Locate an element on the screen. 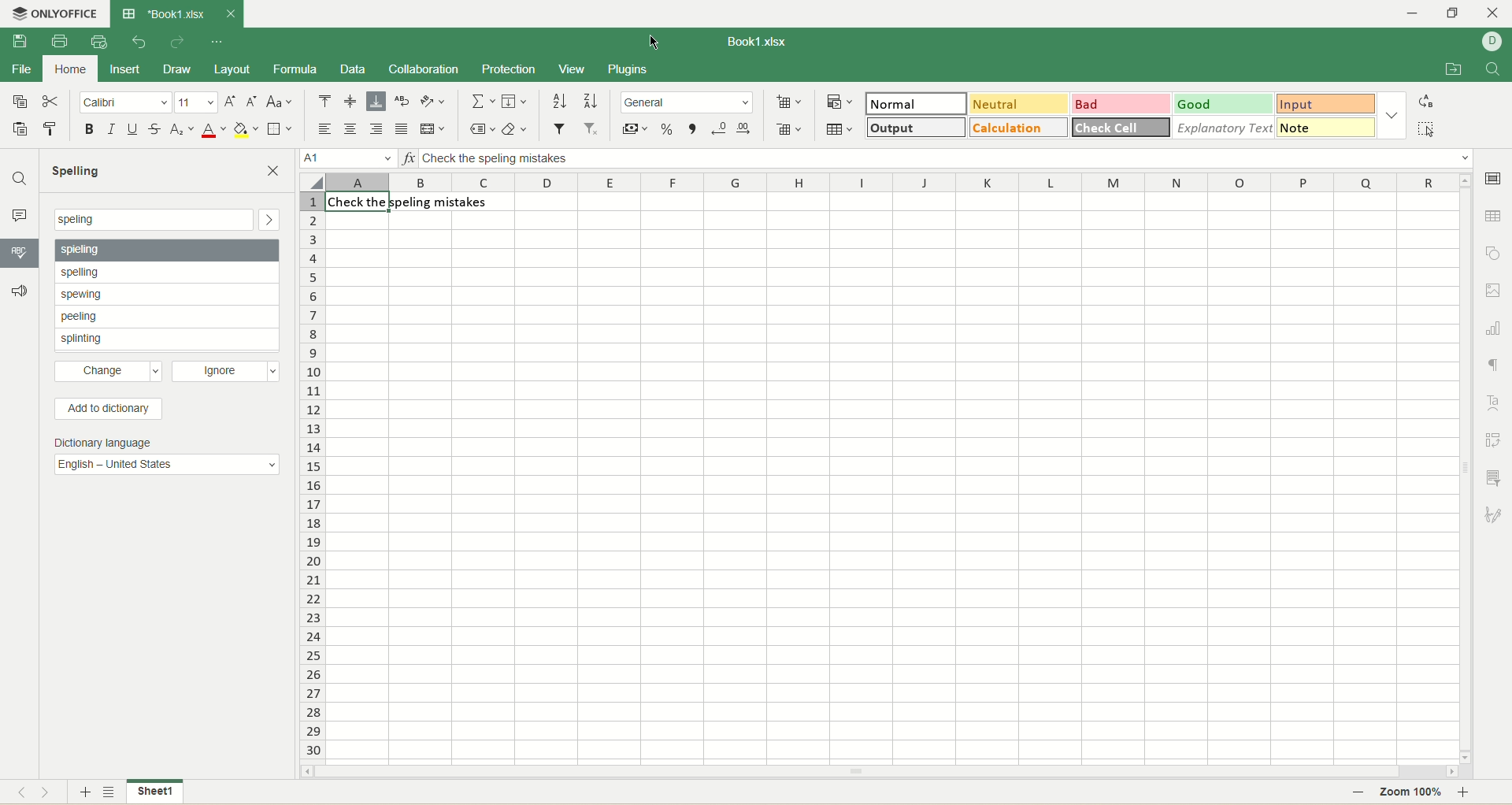 The image size is (1512, 805). subscript is located at coordinates (183, 131).